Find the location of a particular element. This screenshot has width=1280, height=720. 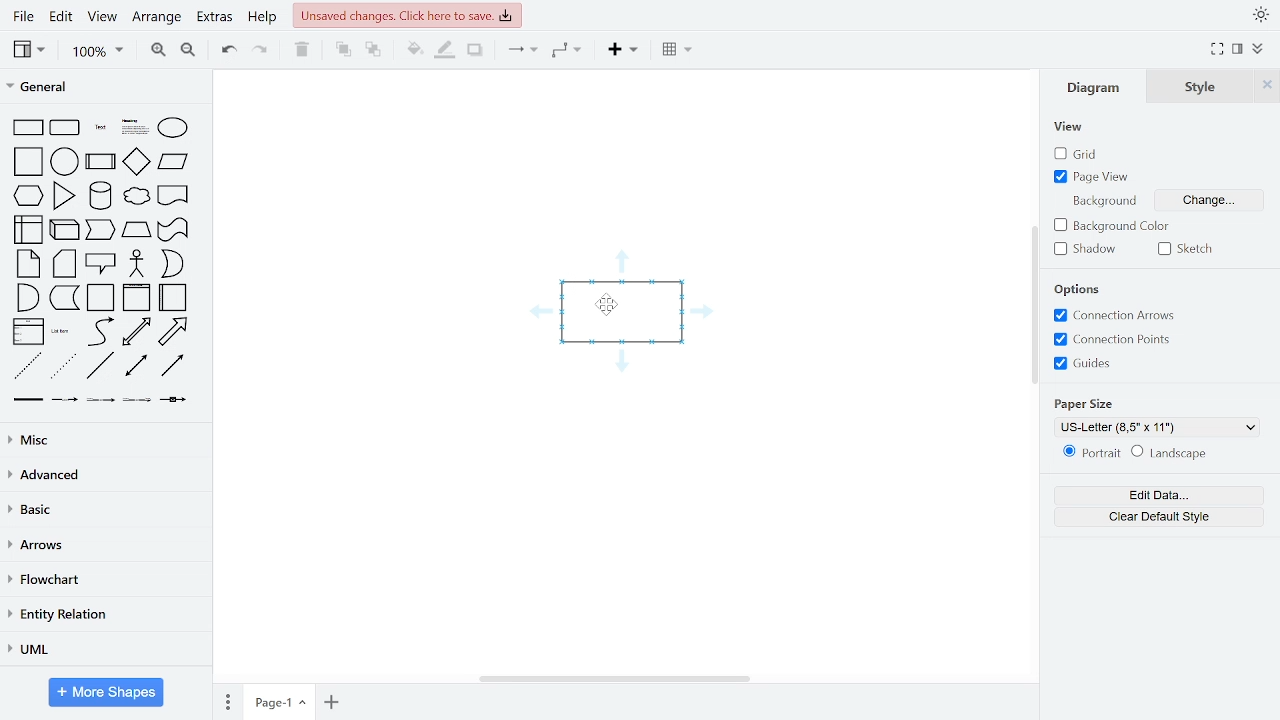

US-Letter (8,5" x 11") is located at coordinates (1154, 428).